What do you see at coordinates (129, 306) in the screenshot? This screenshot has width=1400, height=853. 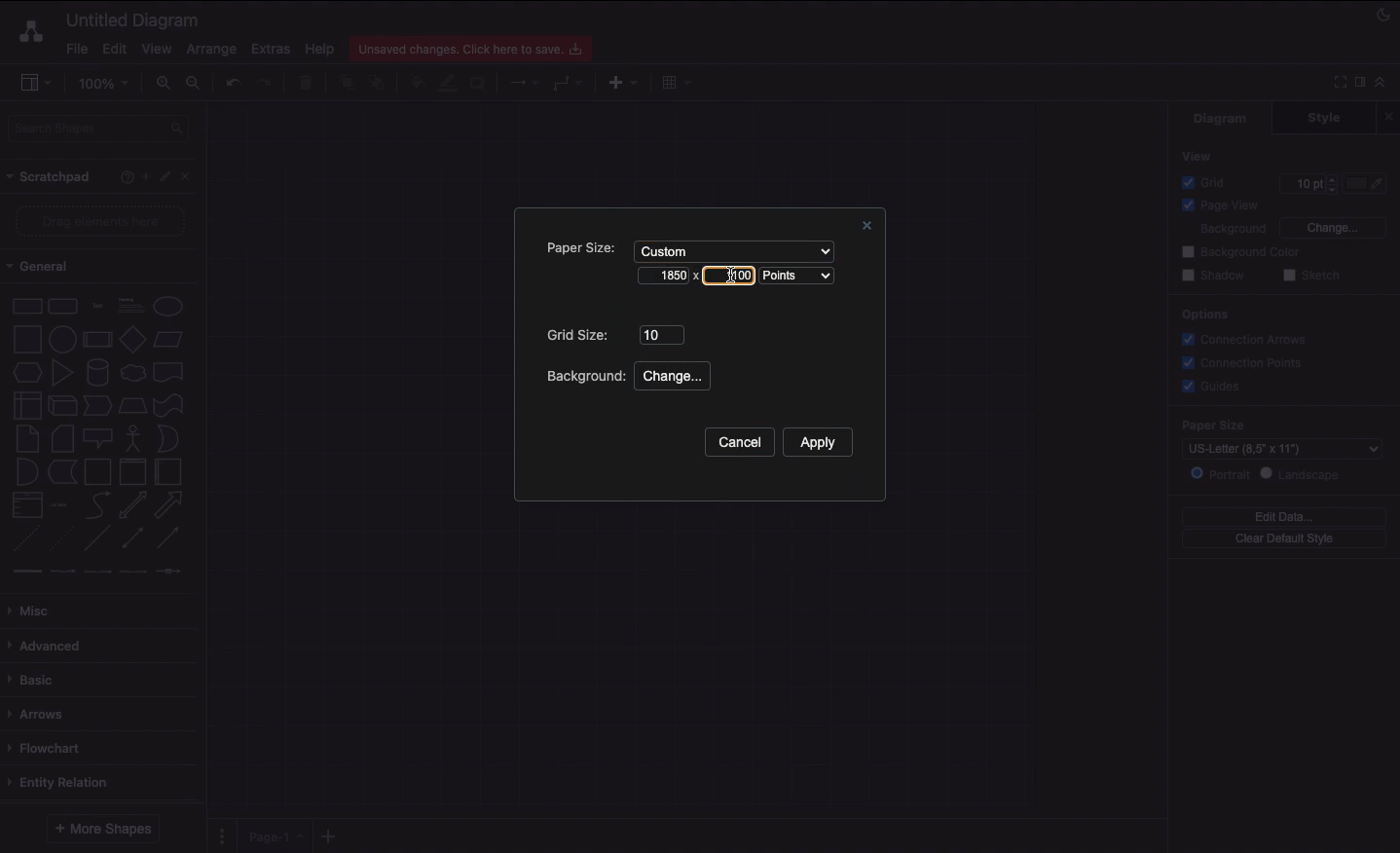 I see `Text box` at bounding box center [129, 306].